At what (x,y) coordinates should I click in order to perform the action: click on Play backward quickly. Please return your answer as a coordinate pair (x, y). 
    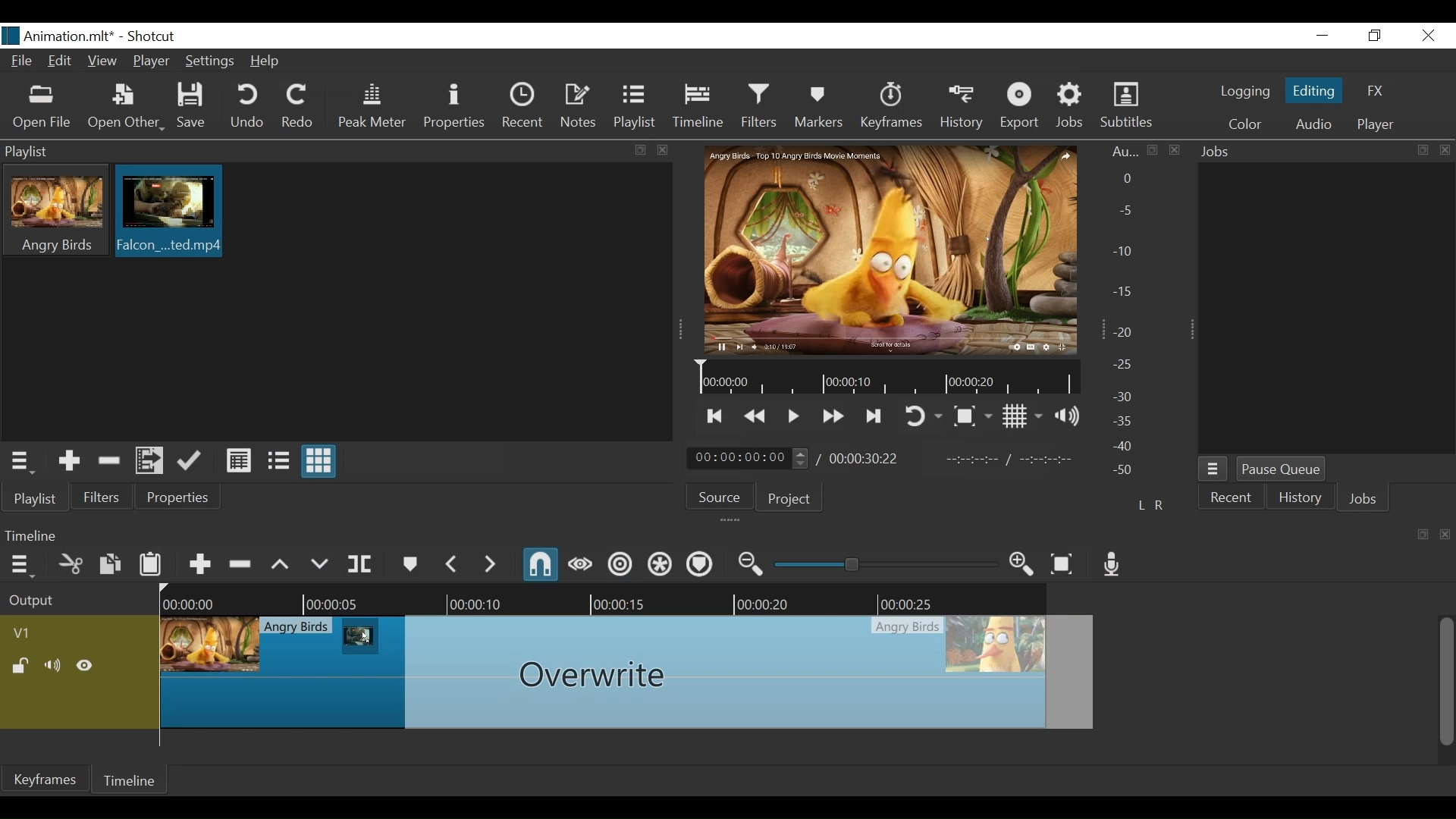
    Looking at the image, I should click on (754, 417).